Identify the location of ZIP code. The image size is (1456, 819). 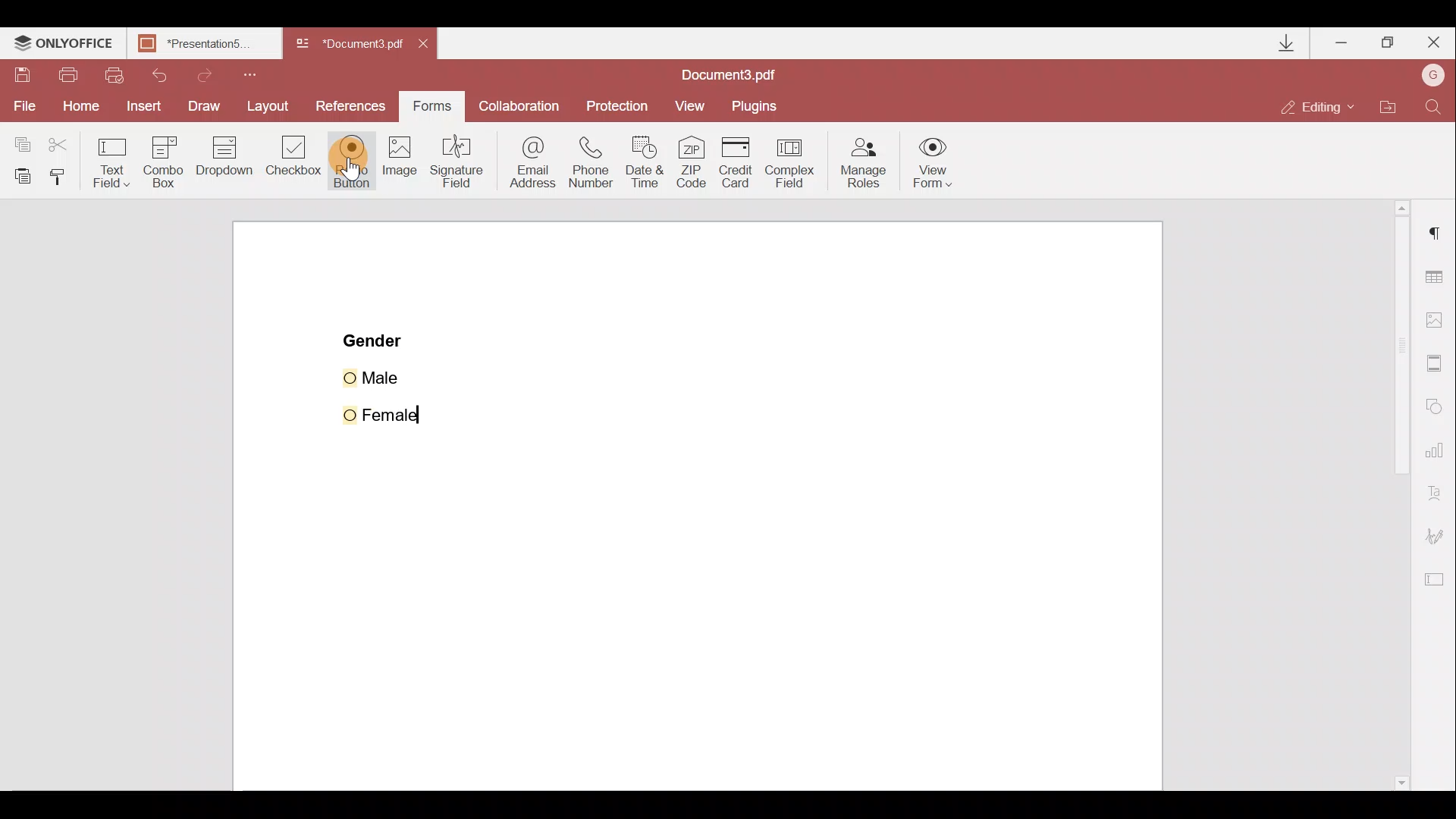
(692, 162).